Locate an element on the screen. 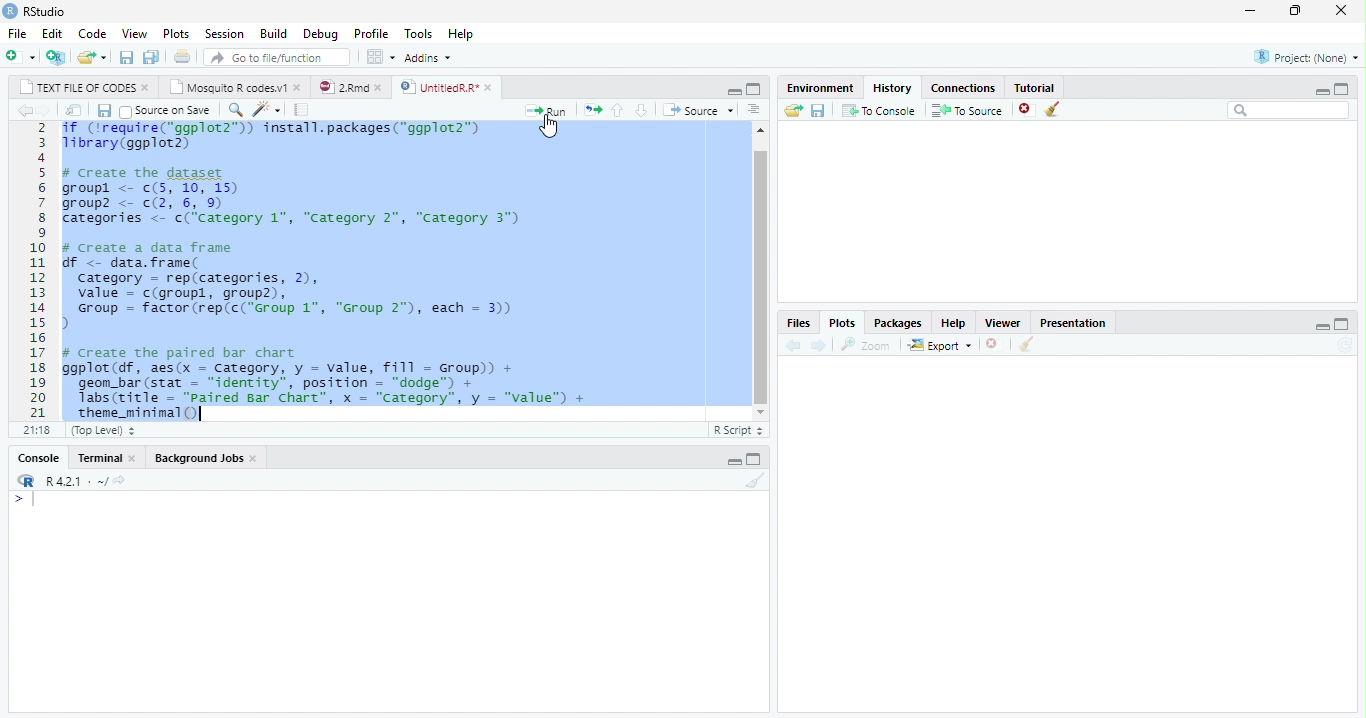  (top level) is located at coordinates (105, 431).